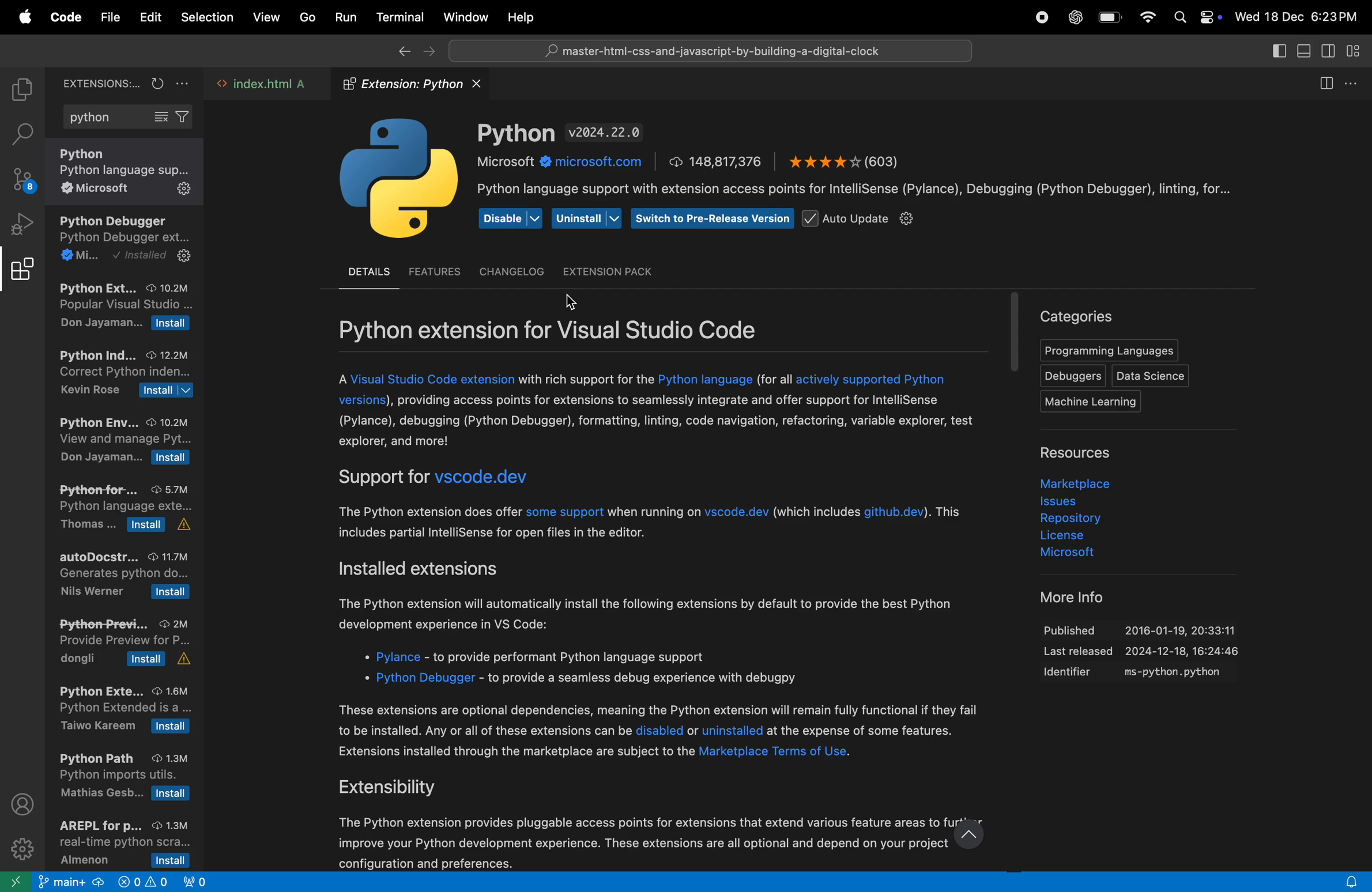 The width and height of the screenshot is (1372, 892). I want to click on edit, so click(150, 17).